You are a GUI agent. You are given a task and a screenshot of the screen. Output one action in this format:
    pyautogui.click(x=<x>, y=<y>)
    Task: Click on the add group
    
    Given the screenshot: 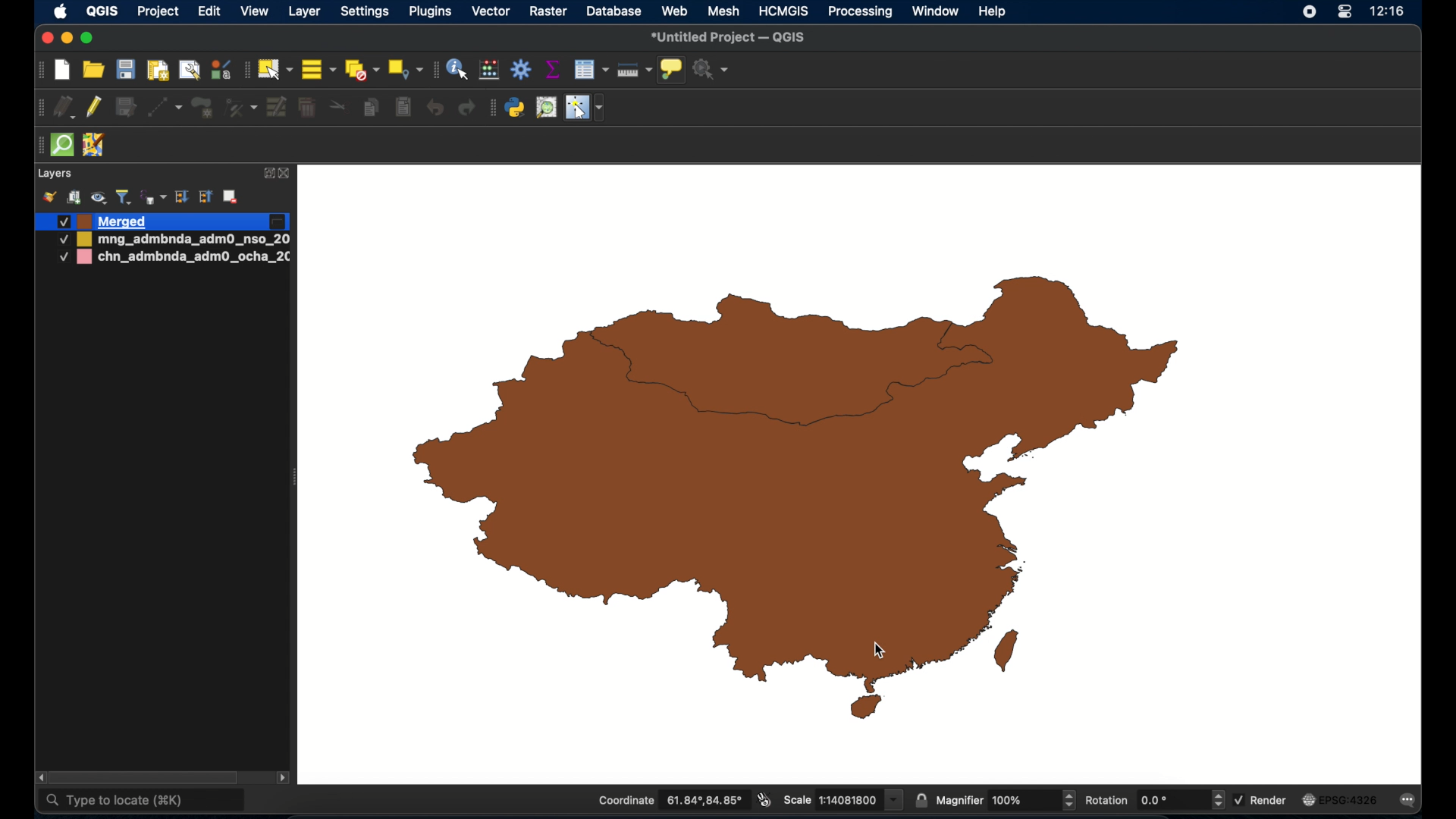 What is the action you would take?
    pyautogui.click(x=74, y=197)
    